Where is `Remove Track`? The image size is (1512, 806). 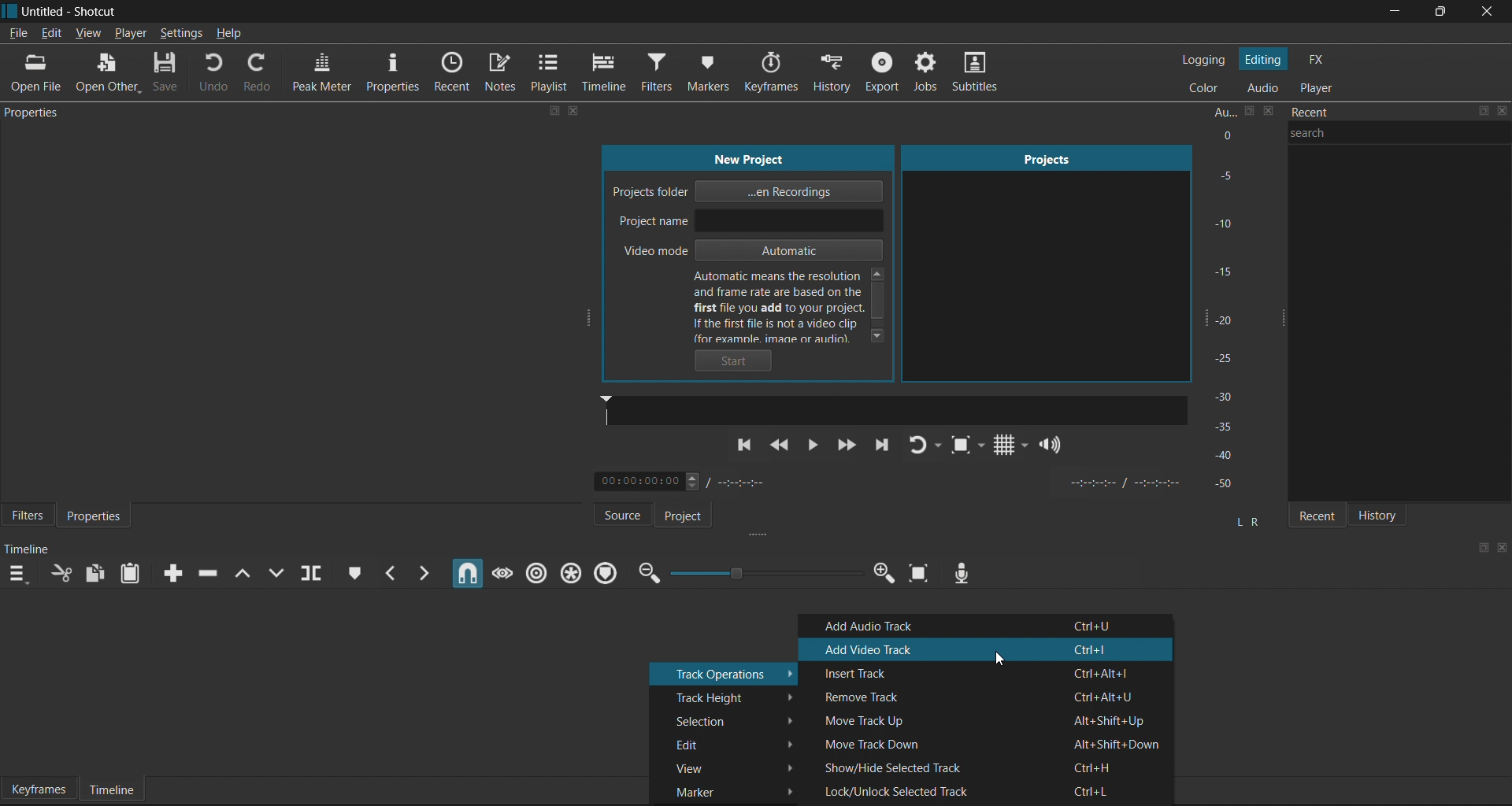
Remove Track is located at coordinates (983, 696).